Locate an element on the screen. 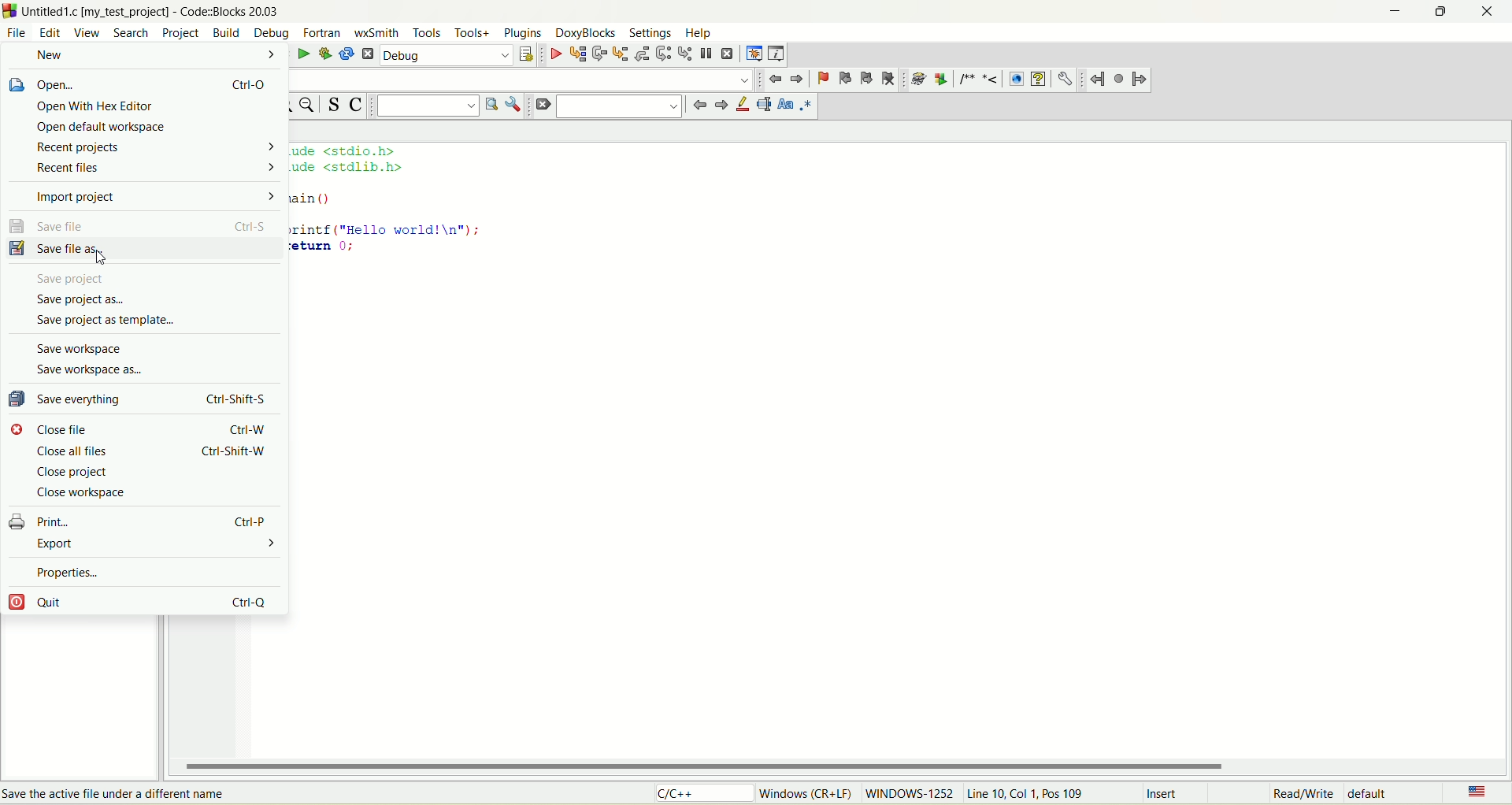 The height and width of the screenshot is (805, 1512). clear is located at coordinates (542, 106).